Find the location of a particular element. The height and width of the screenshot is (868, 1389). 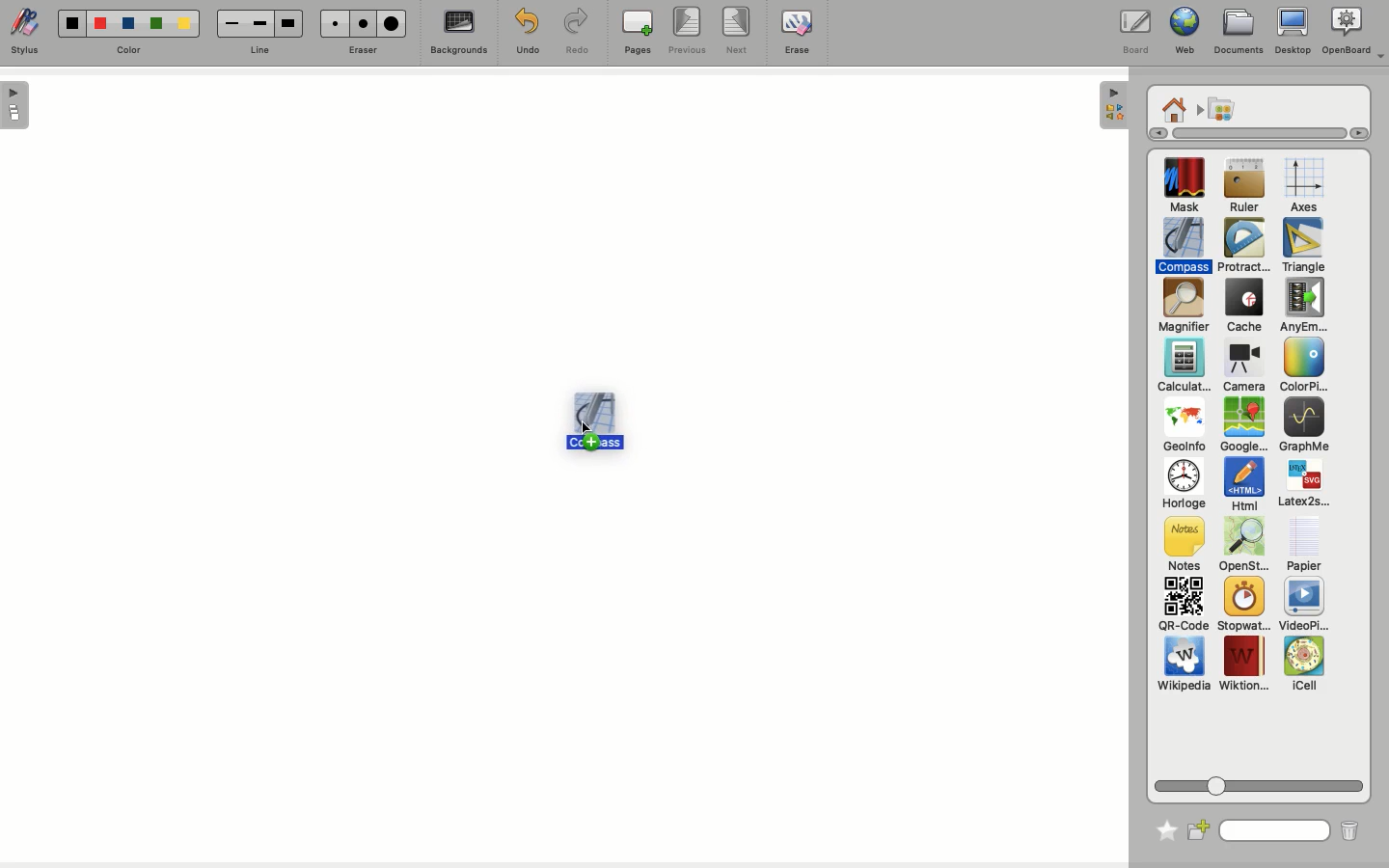

line1 is located at coordinates (231, 22).